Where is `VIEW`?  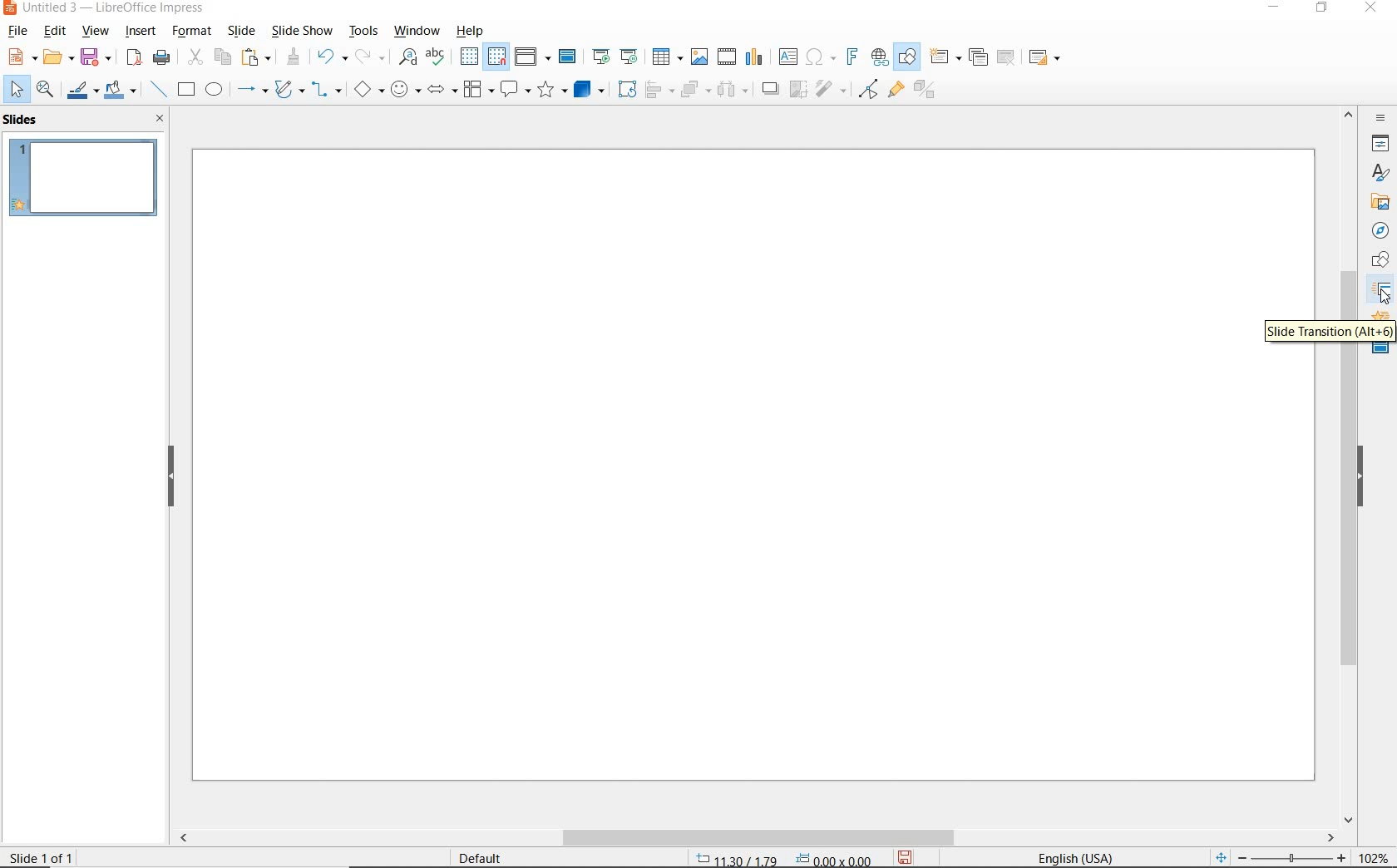
VIEW is located at coordinates (96, 31).